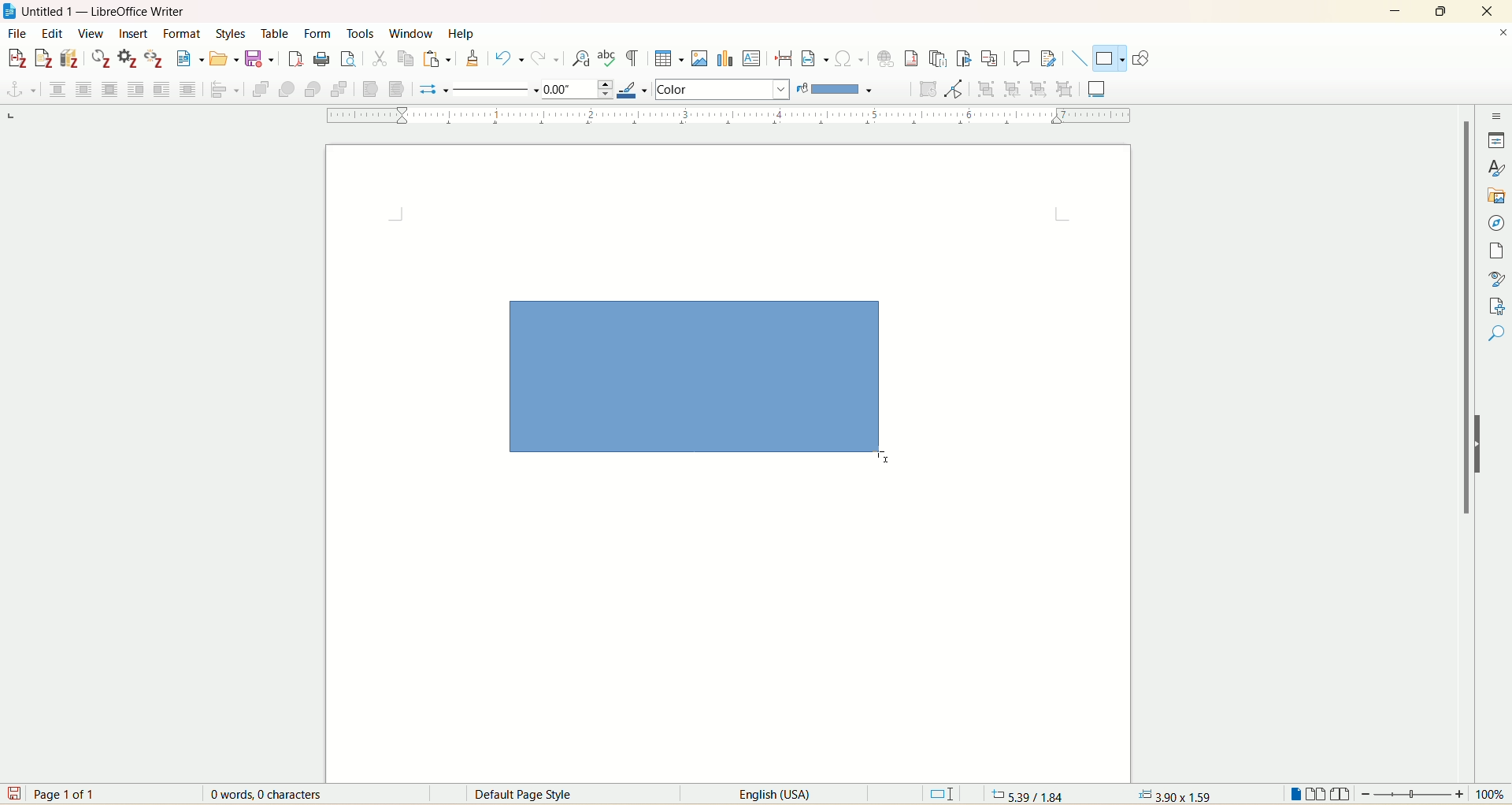  What do you see at coordinates (957, 91) in the screenshot?
I see `toggle point edit mode` at bounding box center [957, 91].